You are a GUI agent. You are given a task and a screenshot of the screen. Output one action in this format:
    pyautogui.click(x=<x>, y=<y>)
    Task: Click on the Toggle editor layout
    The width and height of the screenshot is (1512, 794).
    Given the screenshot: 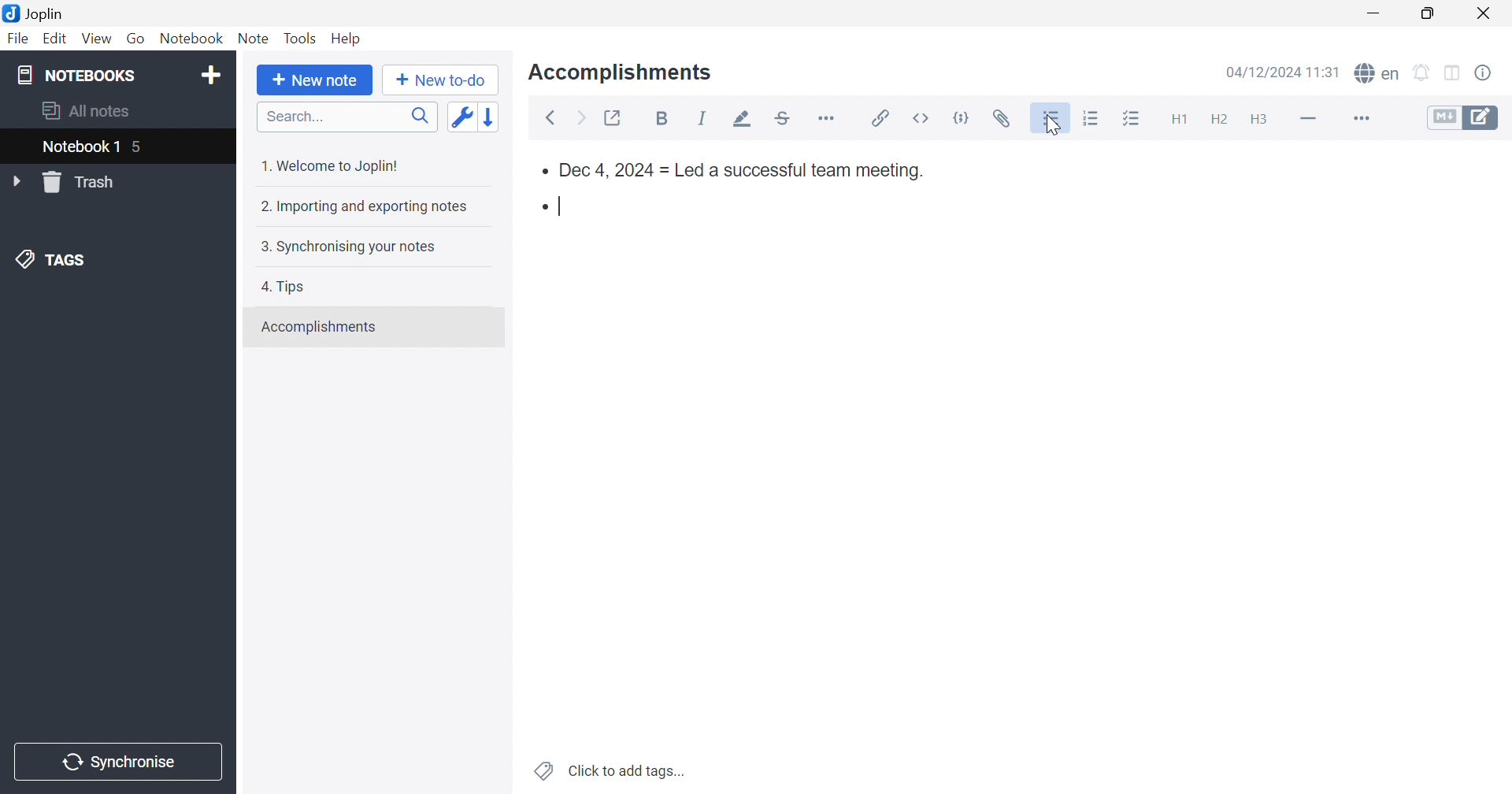 What is the action you would take?
    pyautogui.click(x=1454, y=74)
    